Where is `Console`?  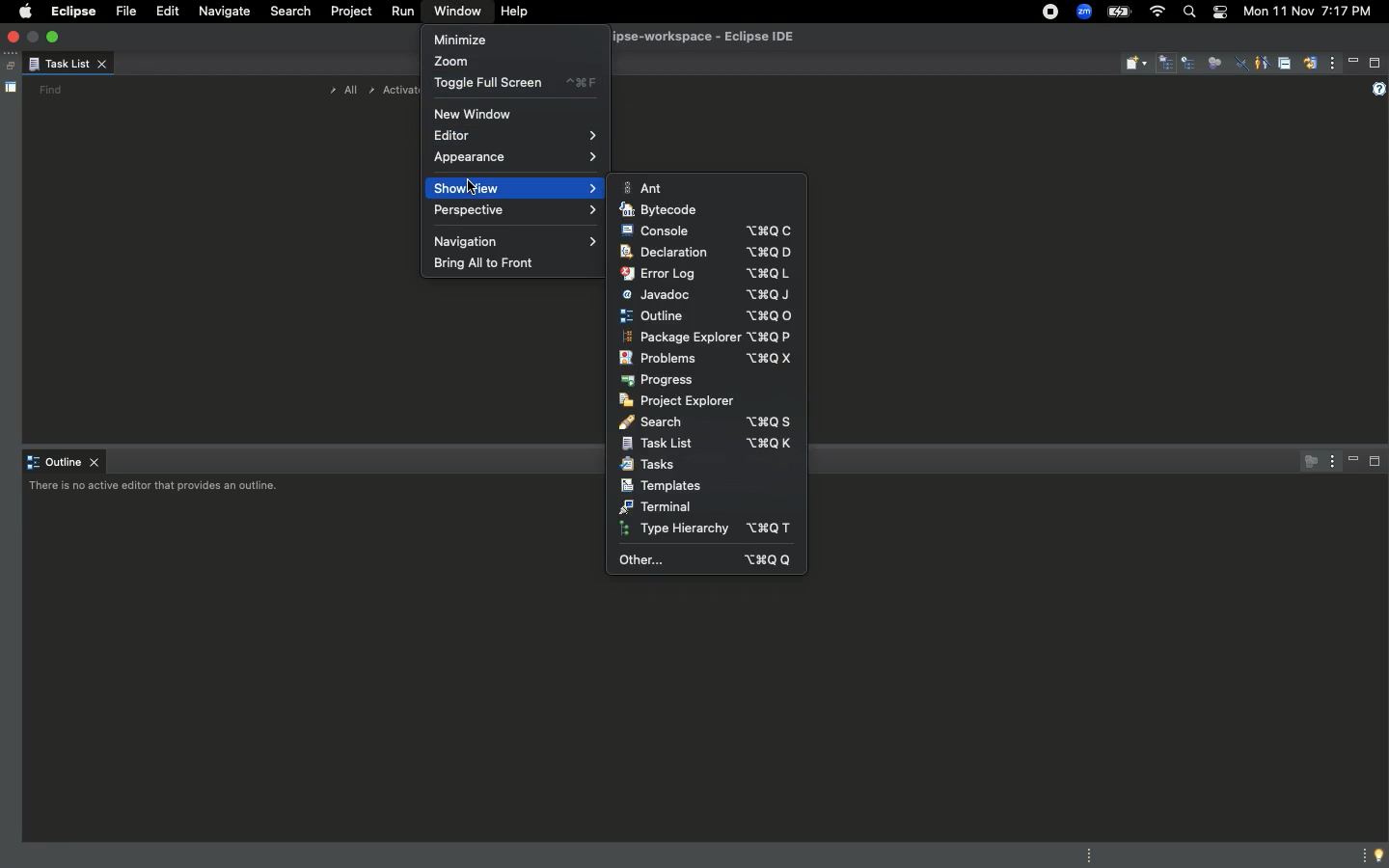
Console is located at coordinates (713, 231).